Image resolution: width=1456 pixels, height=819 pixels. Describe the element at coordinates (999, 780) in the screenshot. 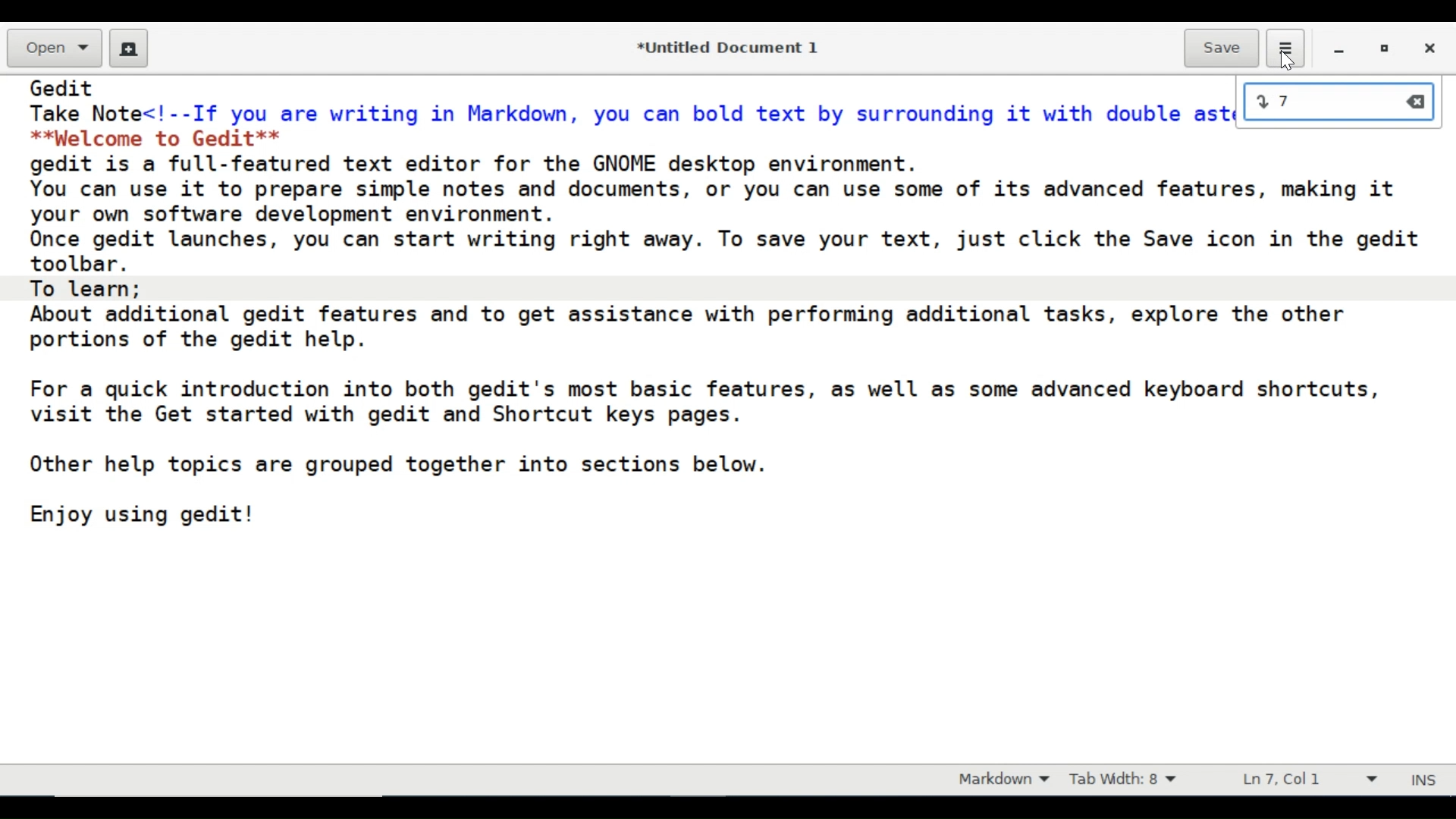

I see `Markdown` at that location.